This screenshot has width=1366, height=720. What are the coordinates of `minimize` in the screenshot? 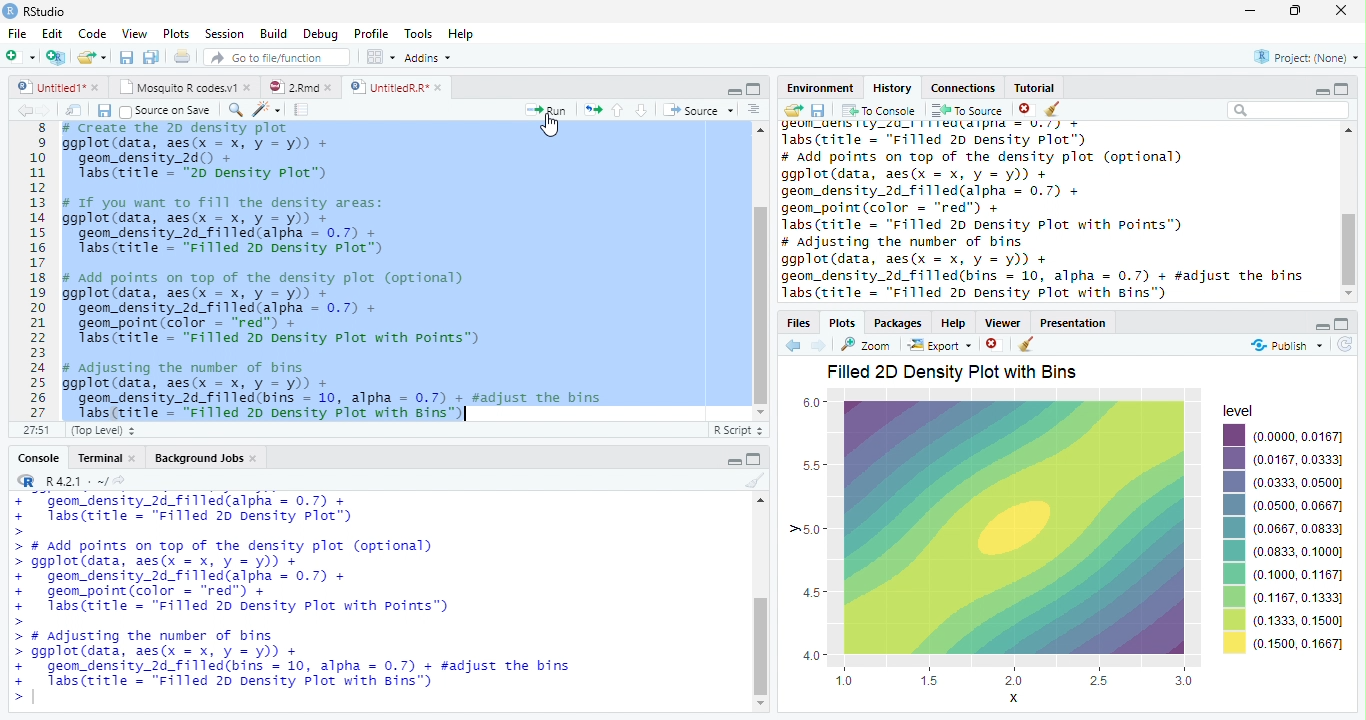 It's located at (1319, 91).